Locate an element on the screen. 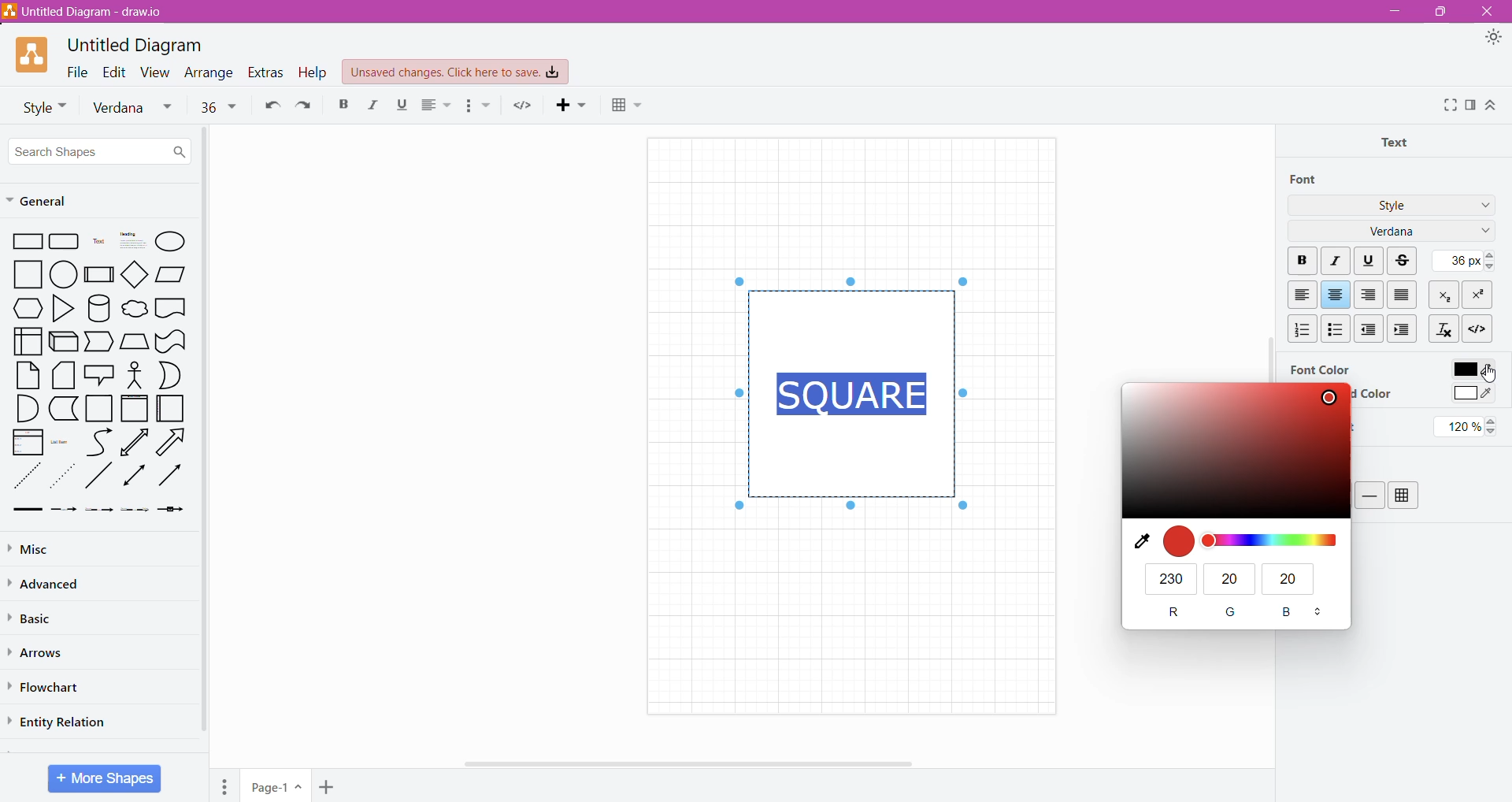 The image size is (1512, 802). List Box is located at coordinates (26, 442).